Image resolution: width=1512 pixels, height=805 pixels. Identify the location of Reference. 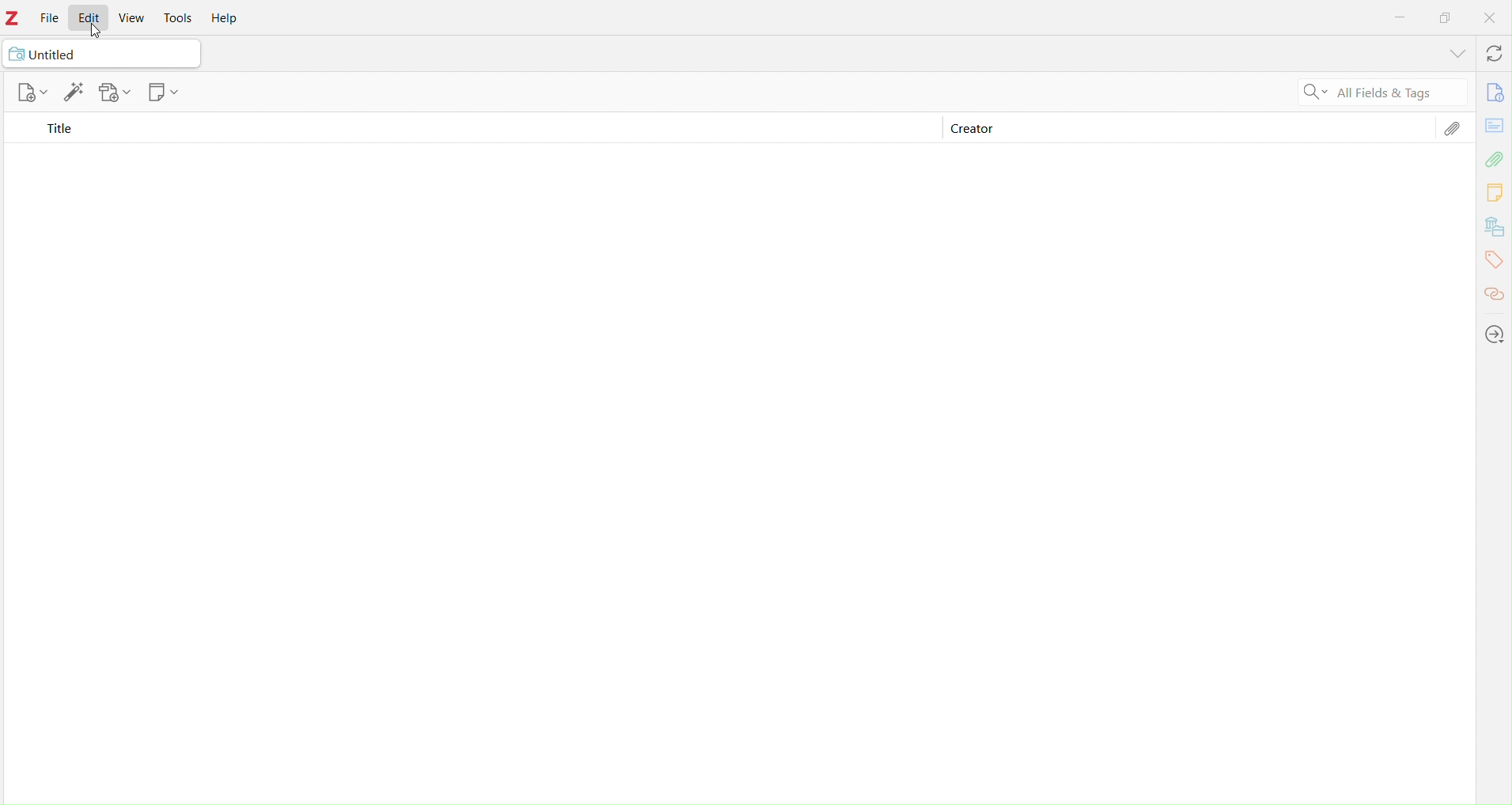
(164, 93).